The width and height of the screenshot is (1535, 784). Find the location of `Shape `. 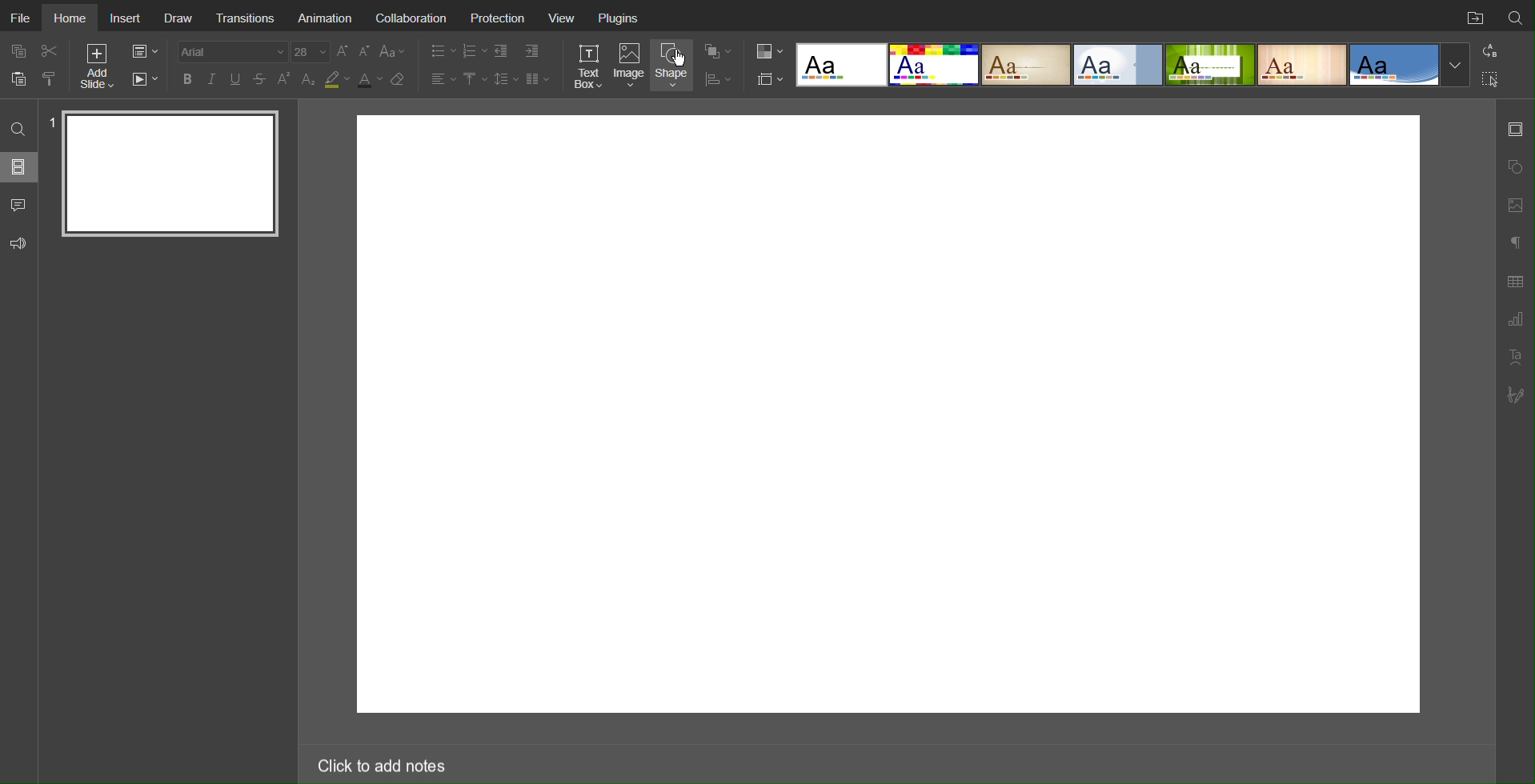

Shape  is located at coordinates (675, 65).